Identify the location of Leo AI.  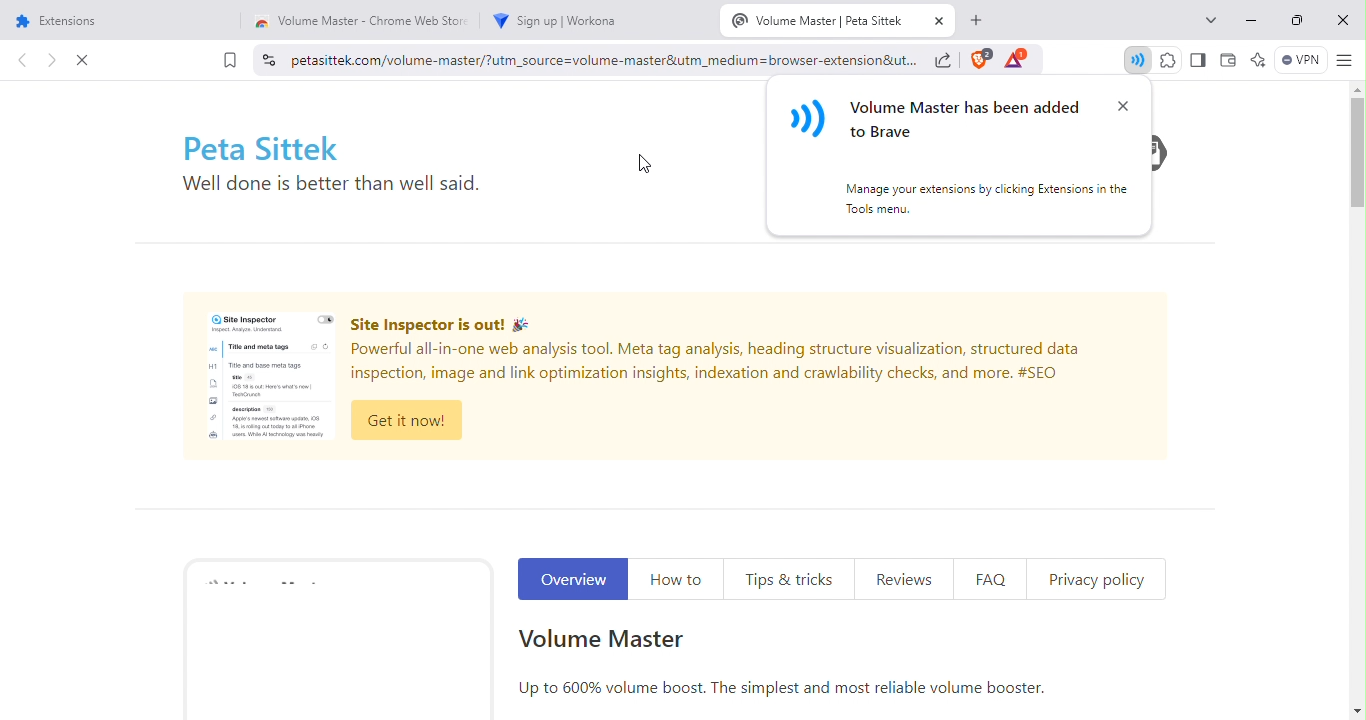
(1262, 62).